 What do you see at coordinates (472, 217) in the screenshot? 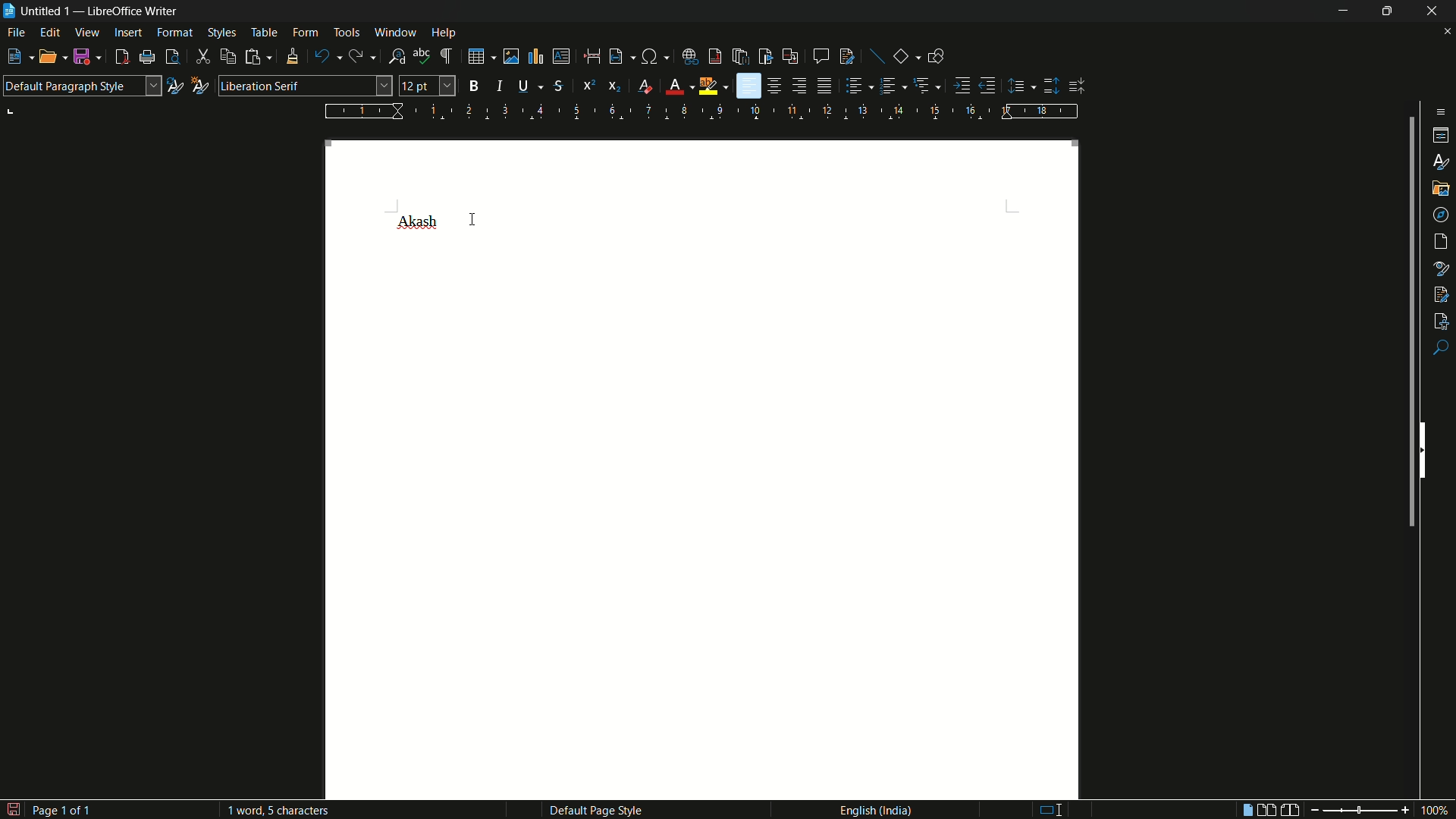
I see `cursor` at bounding box center [472, 217].